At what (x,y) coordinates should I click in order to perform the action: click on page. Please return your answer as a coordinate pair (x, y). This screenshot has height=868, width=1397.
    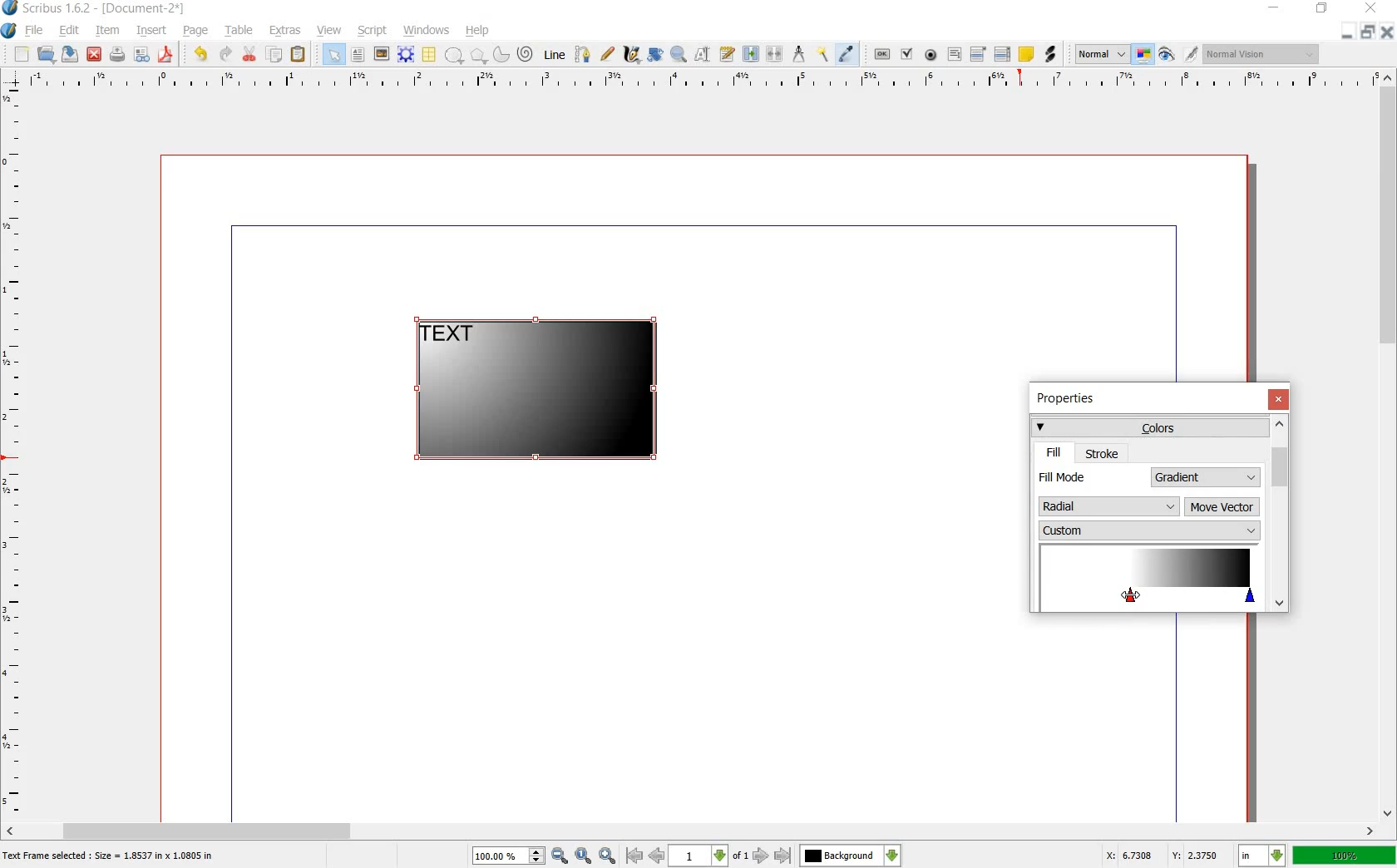
    Looking at the image, I should click on (196, 32).